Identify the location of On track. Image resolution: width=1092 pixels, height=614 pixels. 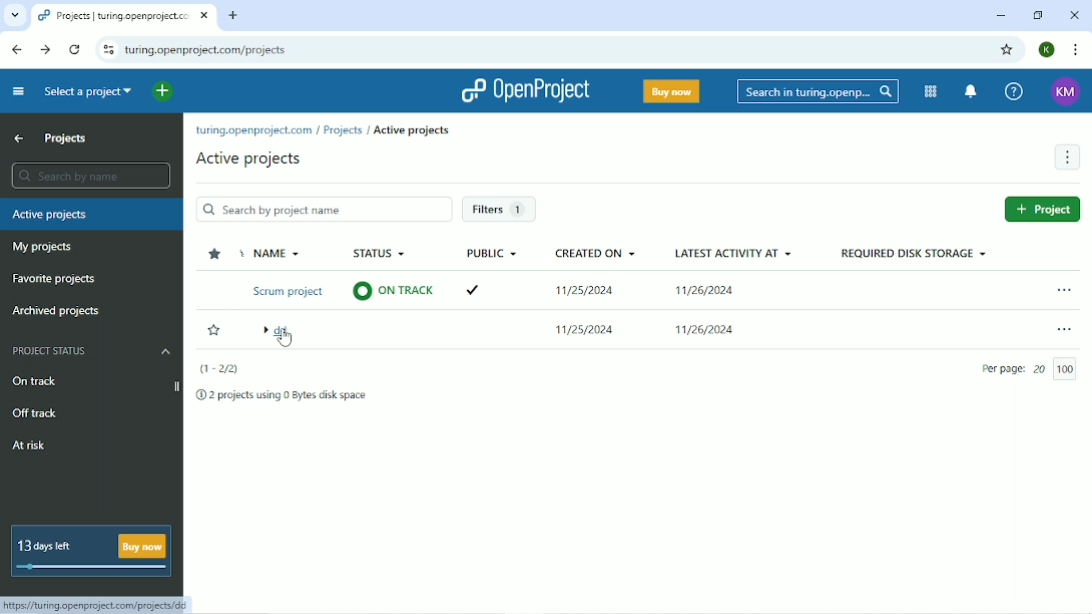
(96, 382).